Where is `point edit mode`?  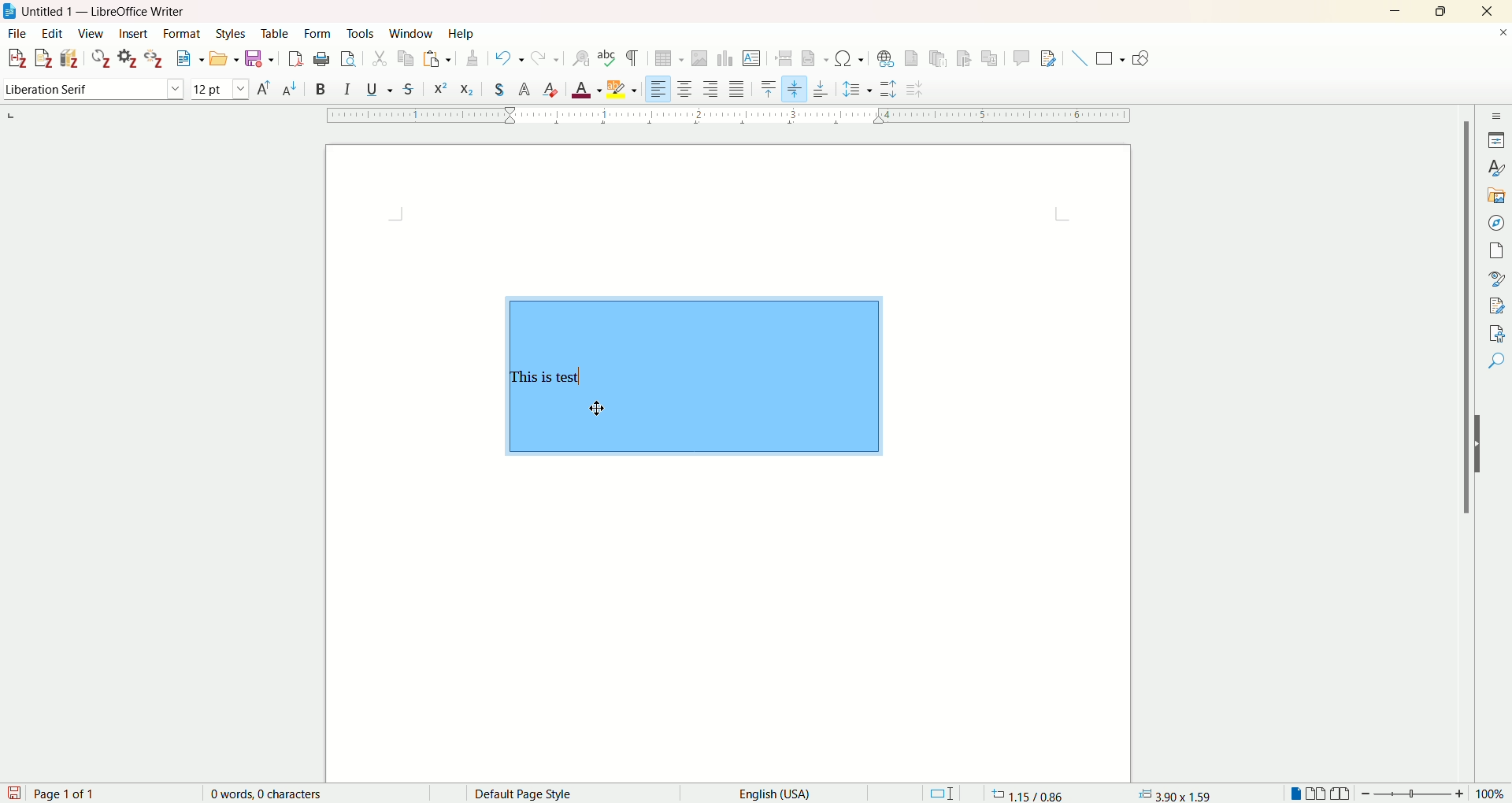
point edit mode is located at coordinates (953, 89).